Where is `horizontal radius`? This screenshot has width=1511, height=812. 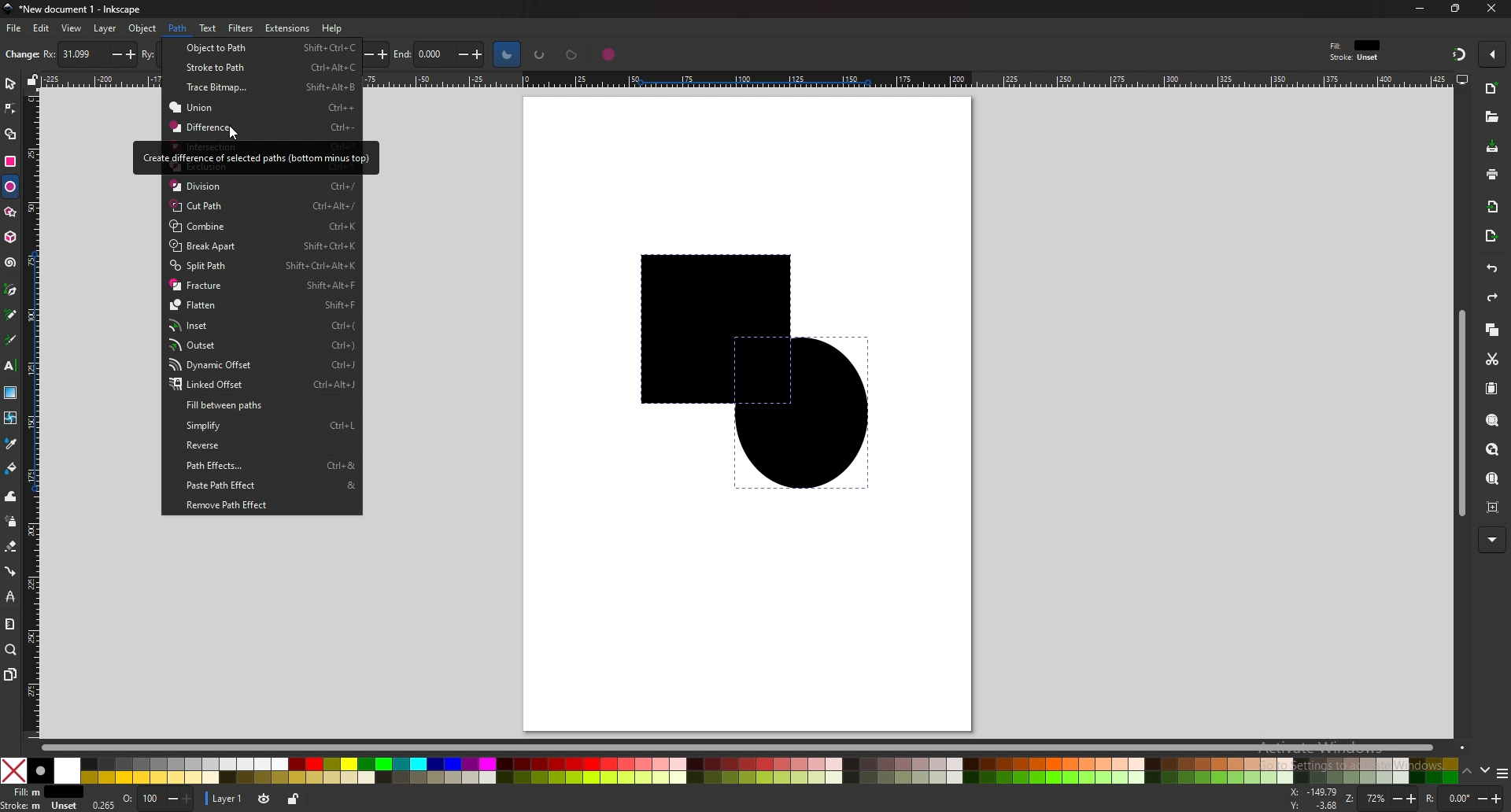
horizontal radius is located at coordinates (87, 54).